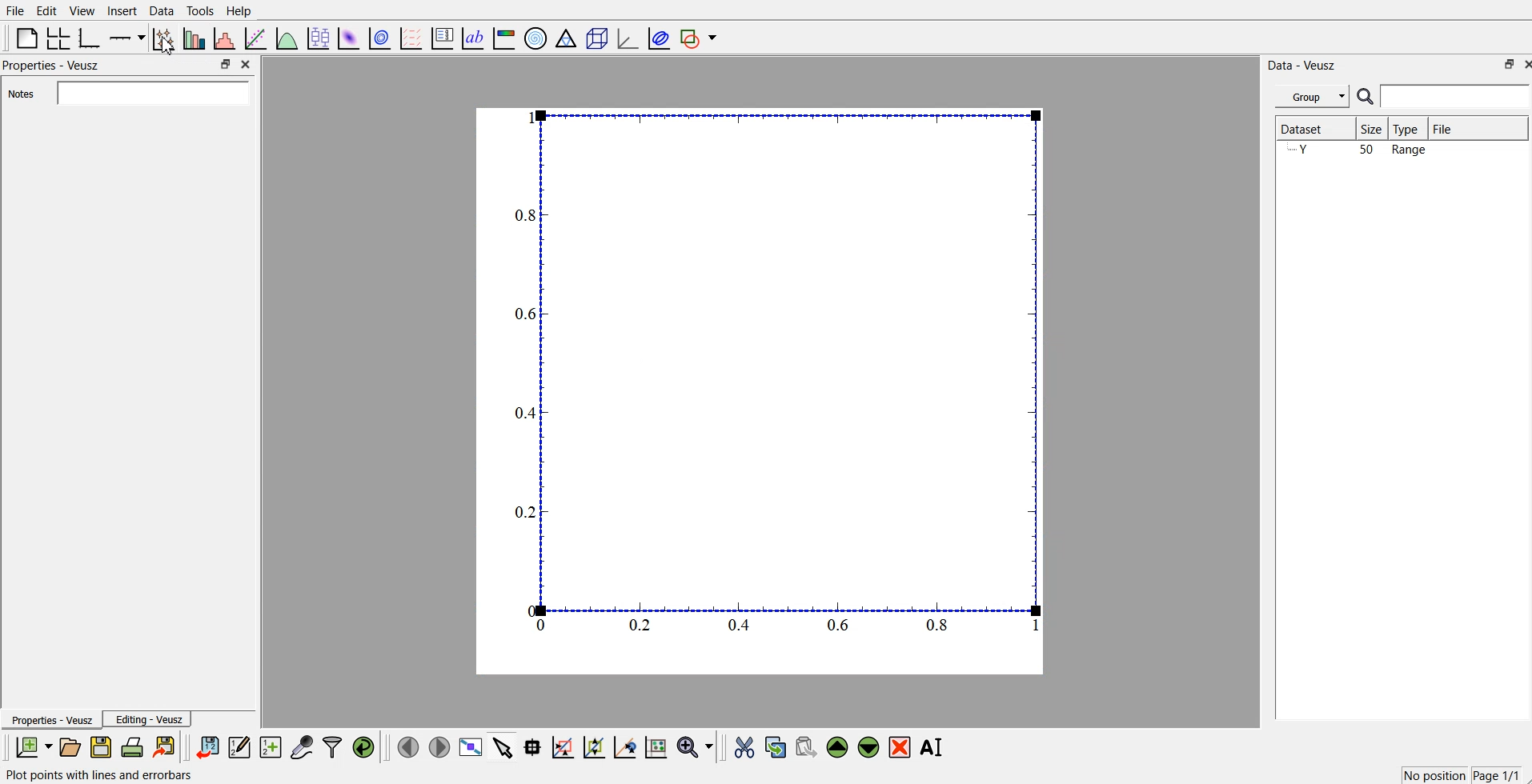  I want to click on 3d graph, so click(627, 35).